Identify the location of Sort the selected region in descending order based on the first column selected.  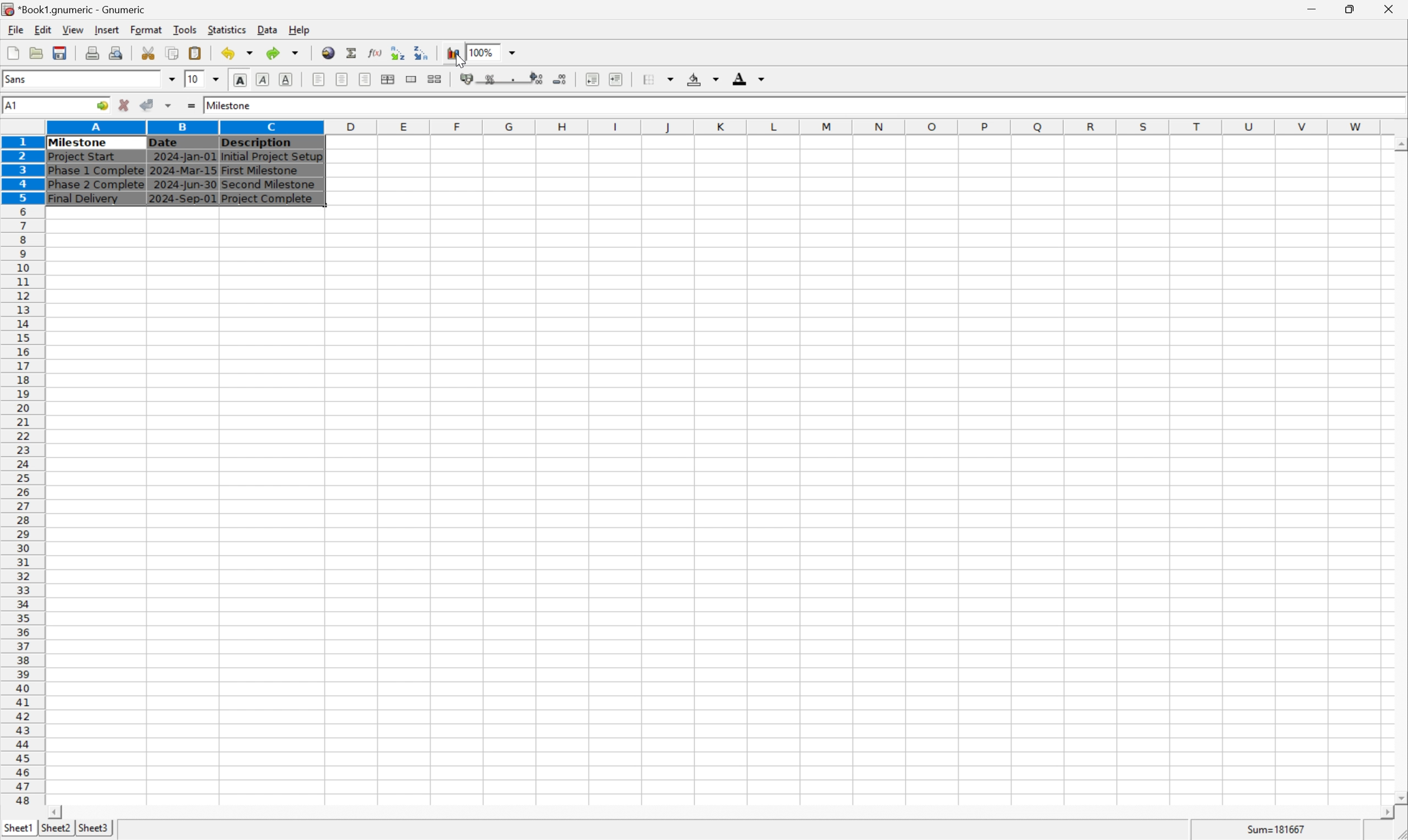
(422, 52).